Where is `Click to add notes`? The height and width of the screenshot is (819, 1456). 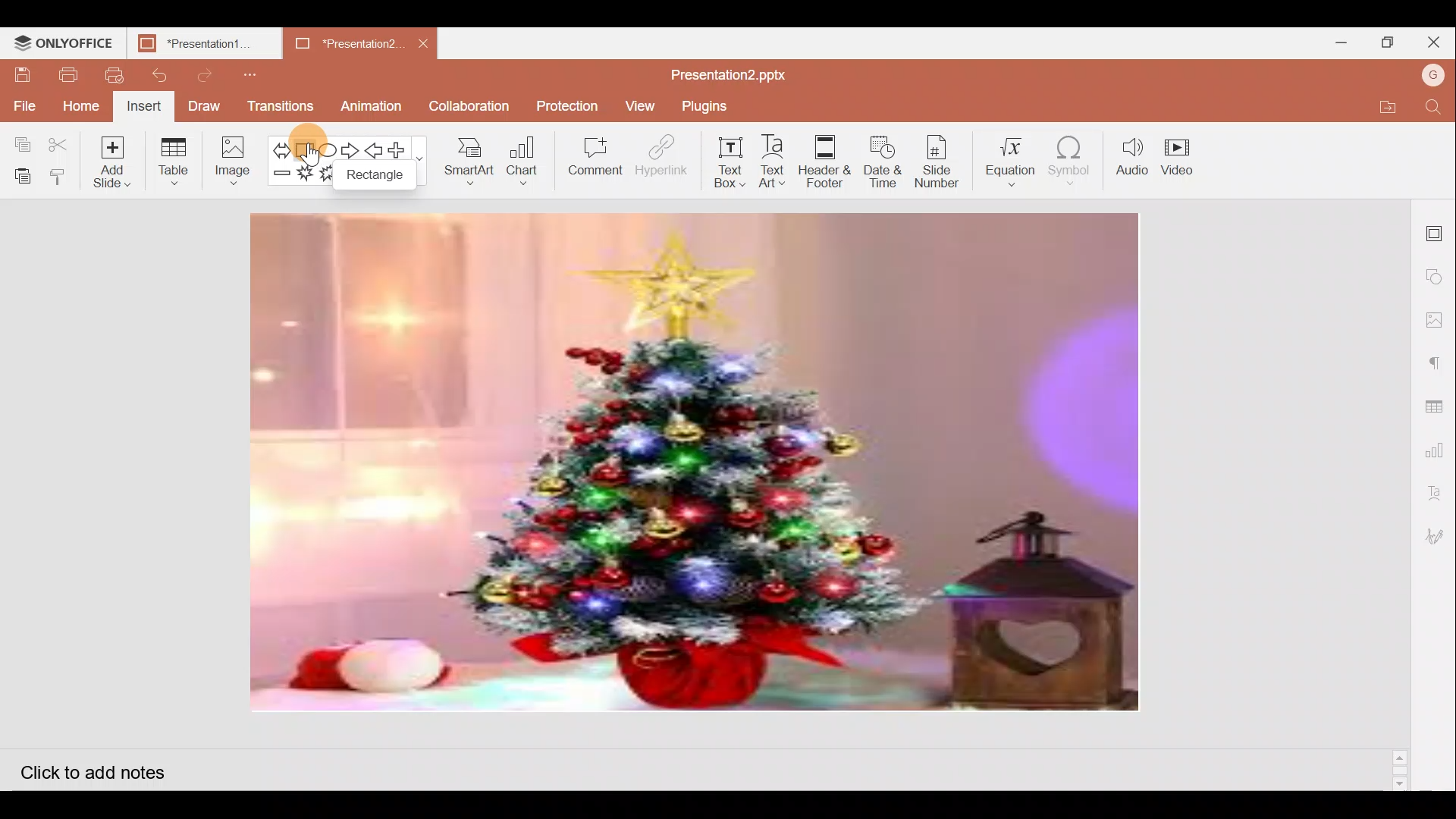 Click to add notes is located at coordinates (105, 767).